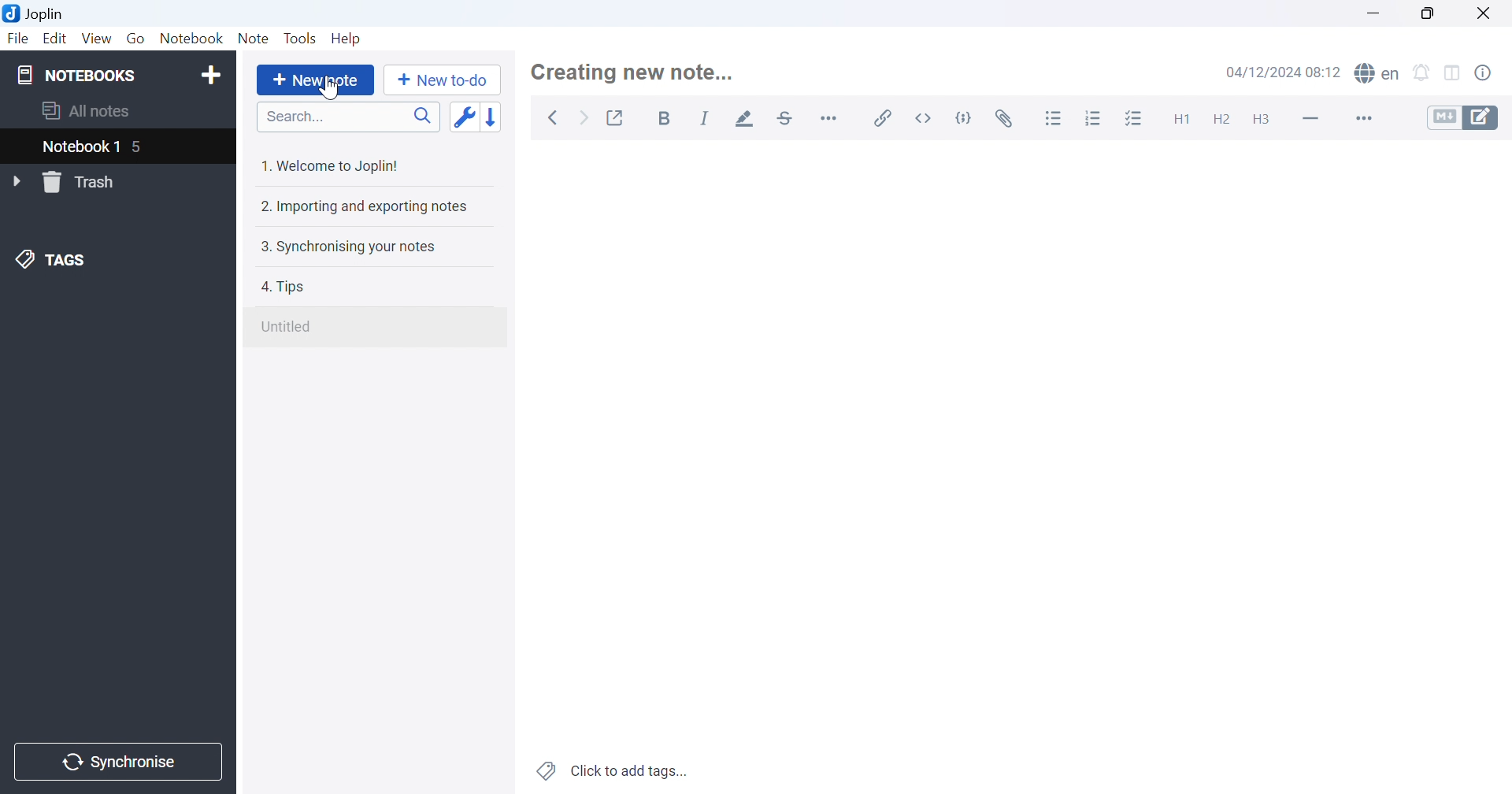 The height and width of the screenshot is (794, 1512). I want to click on 2. Importing and exporting notes, so click(367, 206).